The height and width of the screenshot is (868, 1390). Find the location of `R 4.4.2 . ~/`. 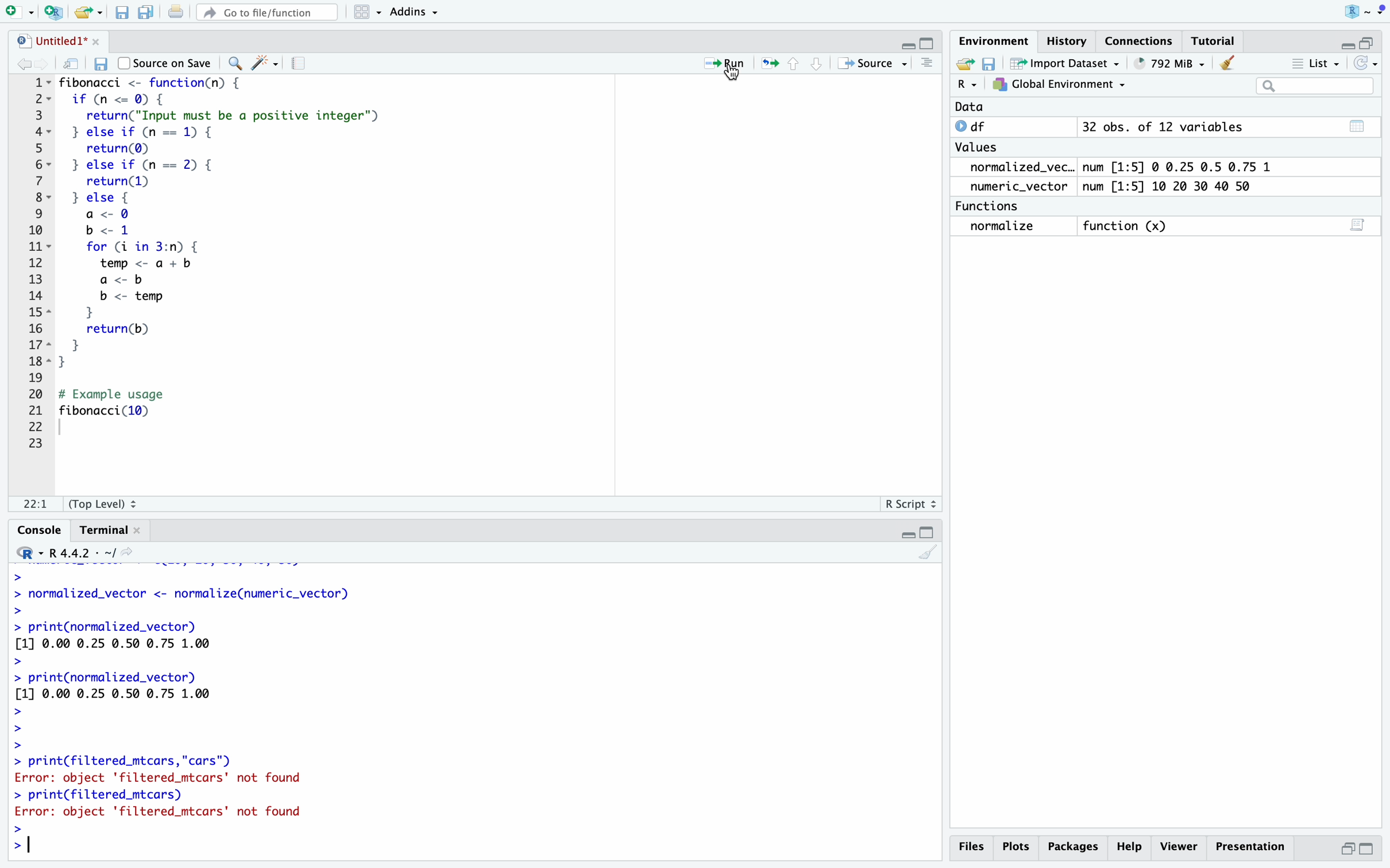

R 4.4.2 . ~/ is located at coordinates (82, 555).